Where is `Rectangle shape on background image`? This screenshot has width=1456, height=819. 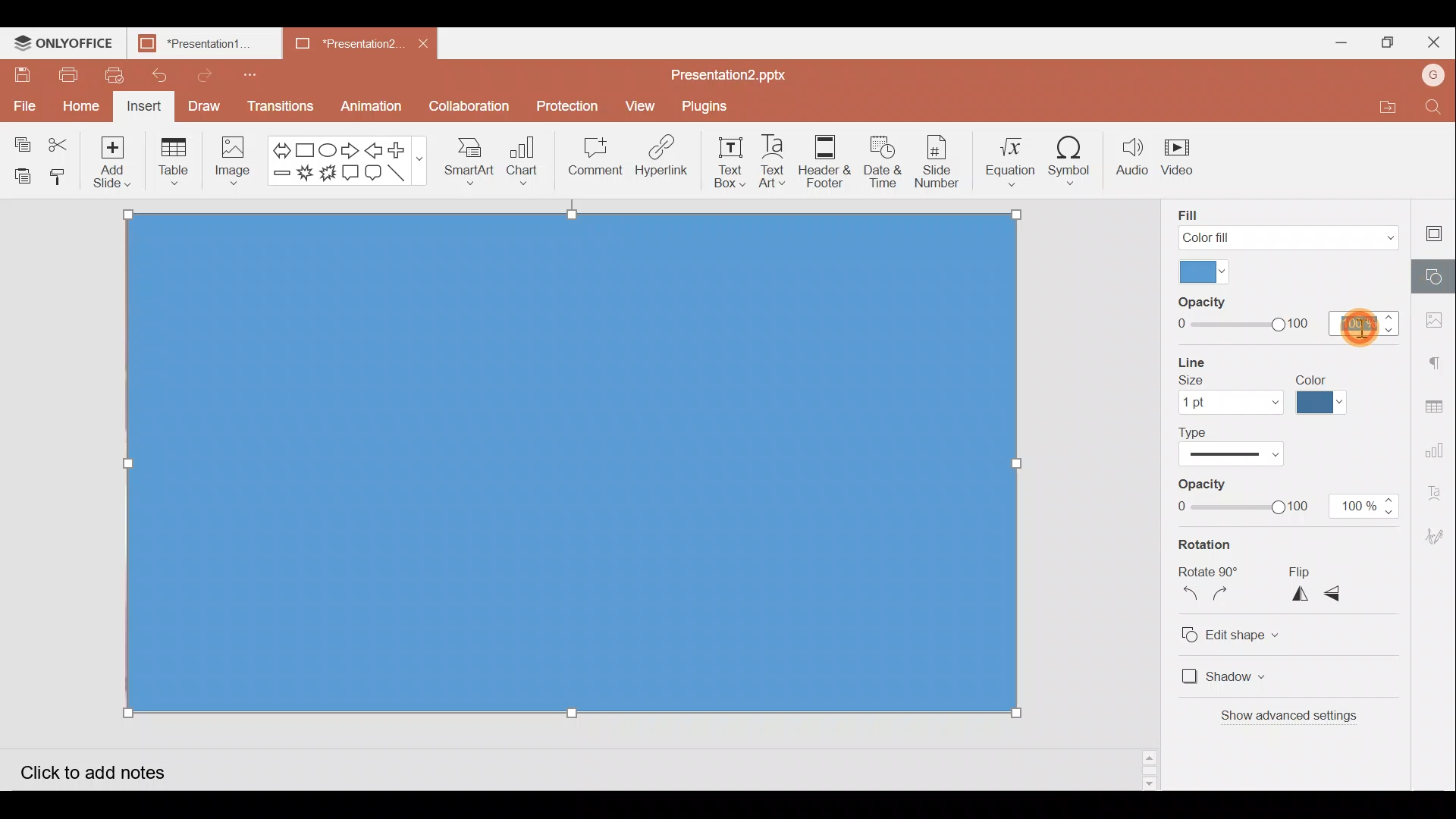 Rectangle shape on background image is located at coordinates (575, 467).